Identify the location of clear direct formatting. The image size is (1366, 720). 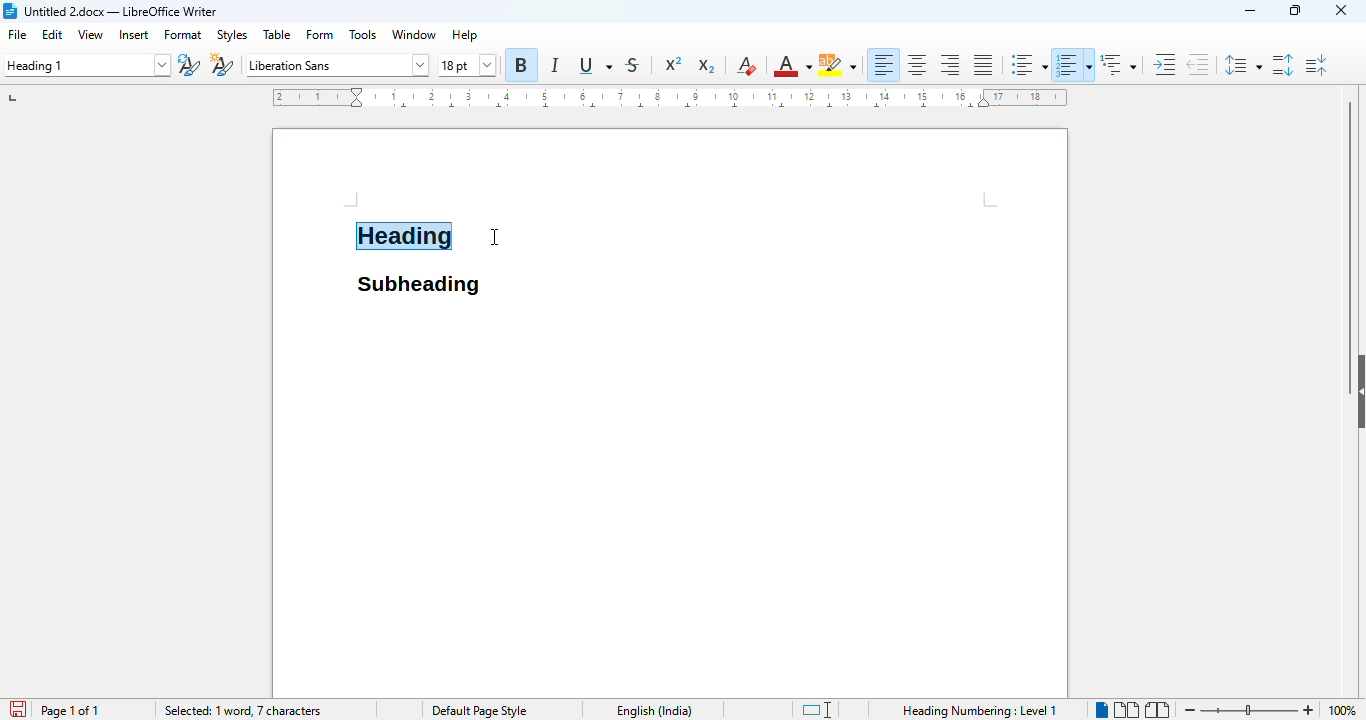
(745, 65).